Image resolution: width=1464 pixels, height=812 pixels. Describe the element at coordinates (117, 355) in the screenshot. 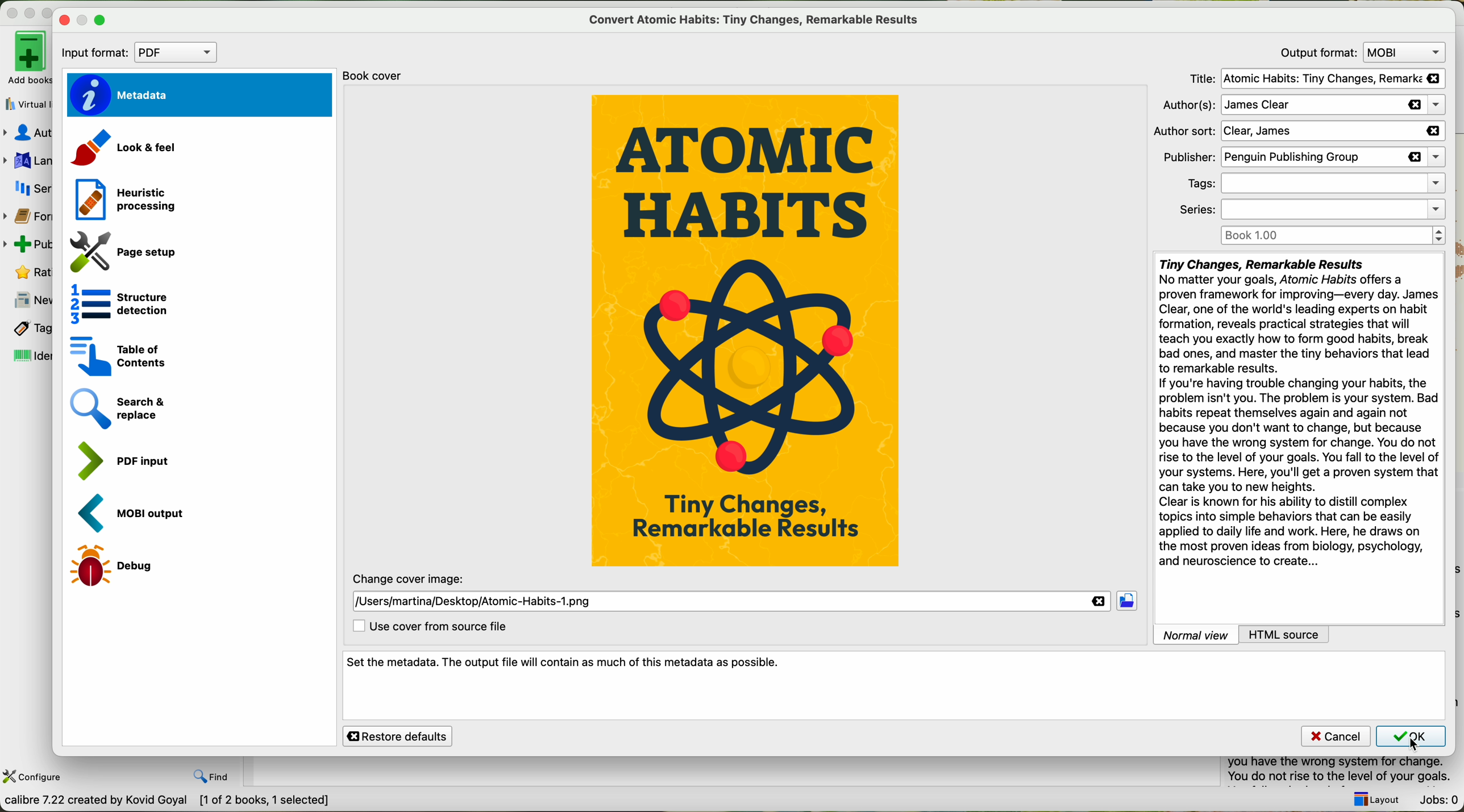

I see `table of contents` at that location.